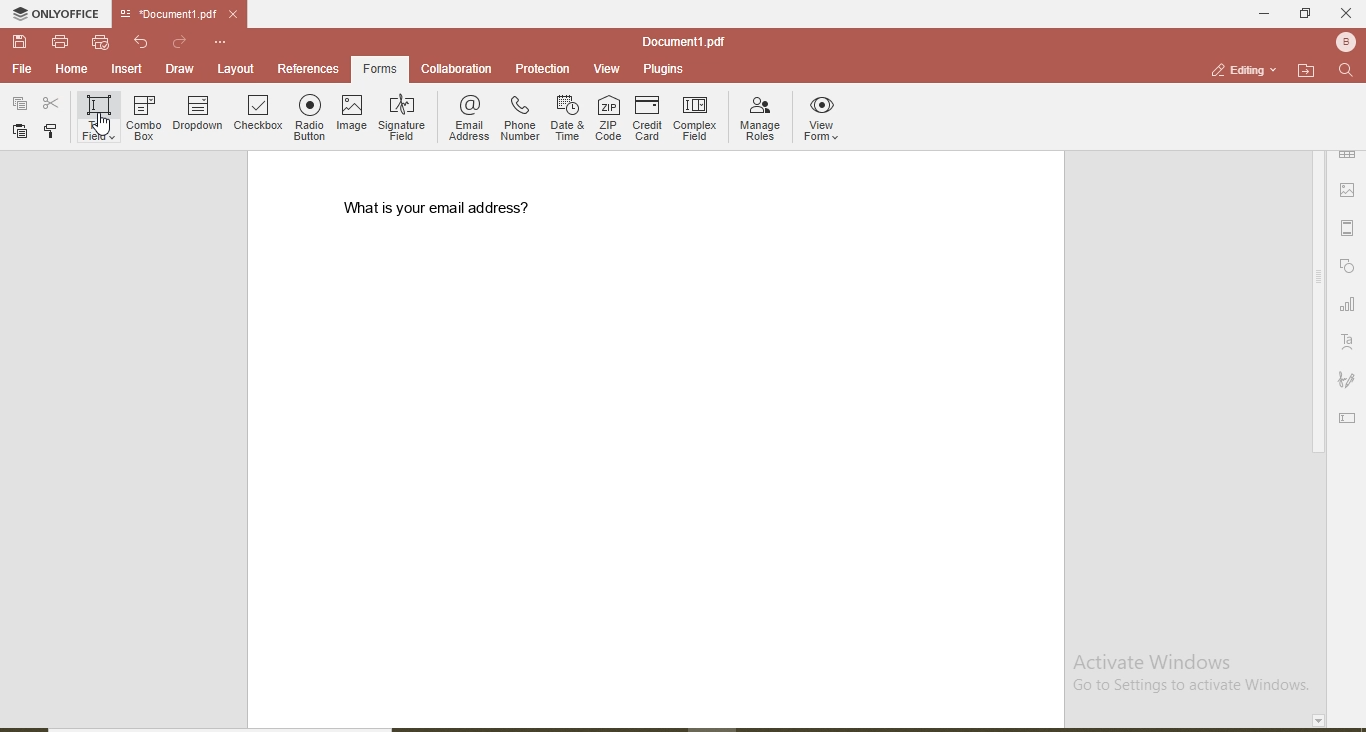 This screenshot has width=1366, height=732. I want to click on draw, so click(178, 68).